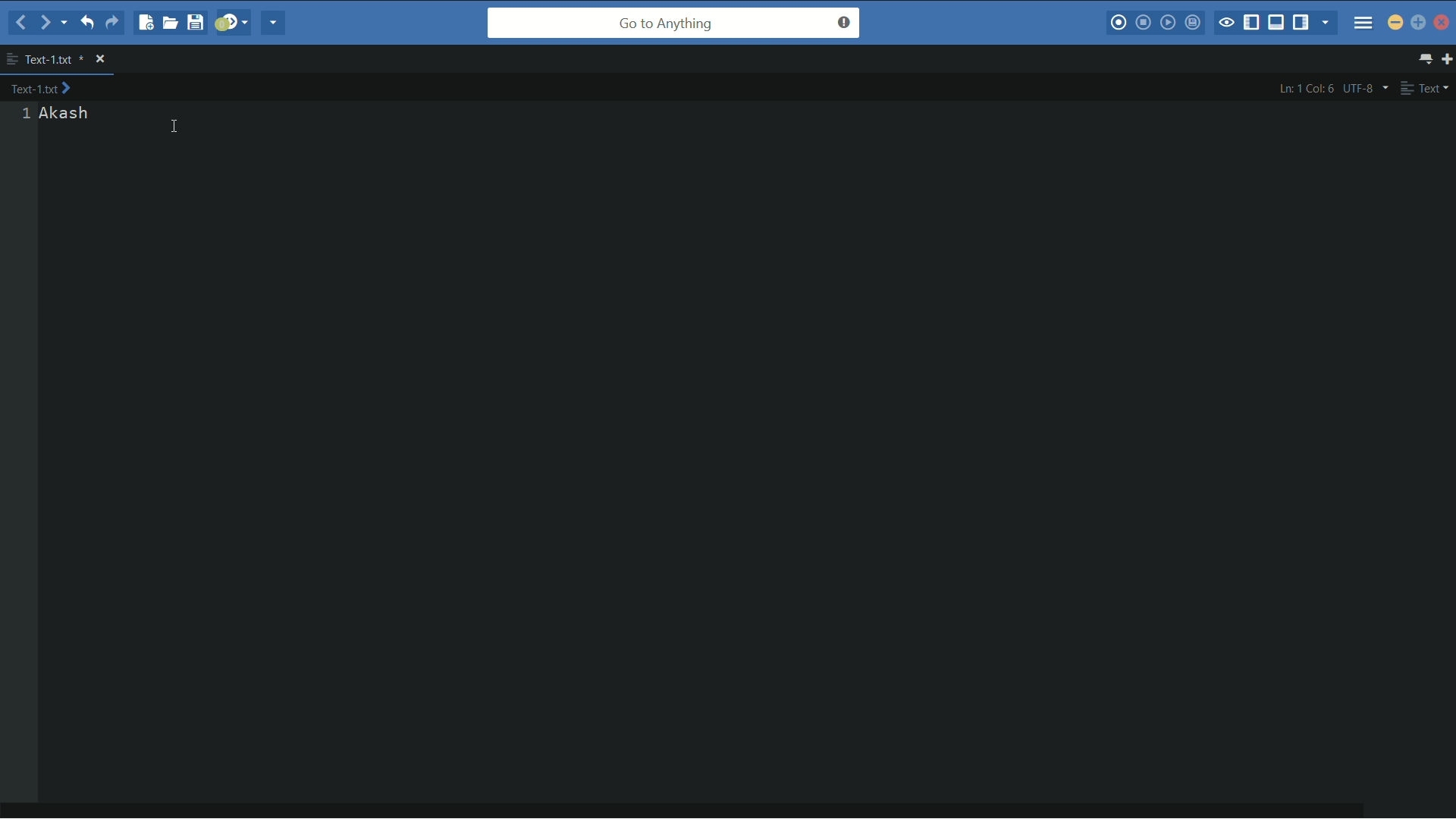 This screenshot has height=819, width=1456. Describe the element at coordinates (100, 58) in the screenshot. I see `close` at that location.